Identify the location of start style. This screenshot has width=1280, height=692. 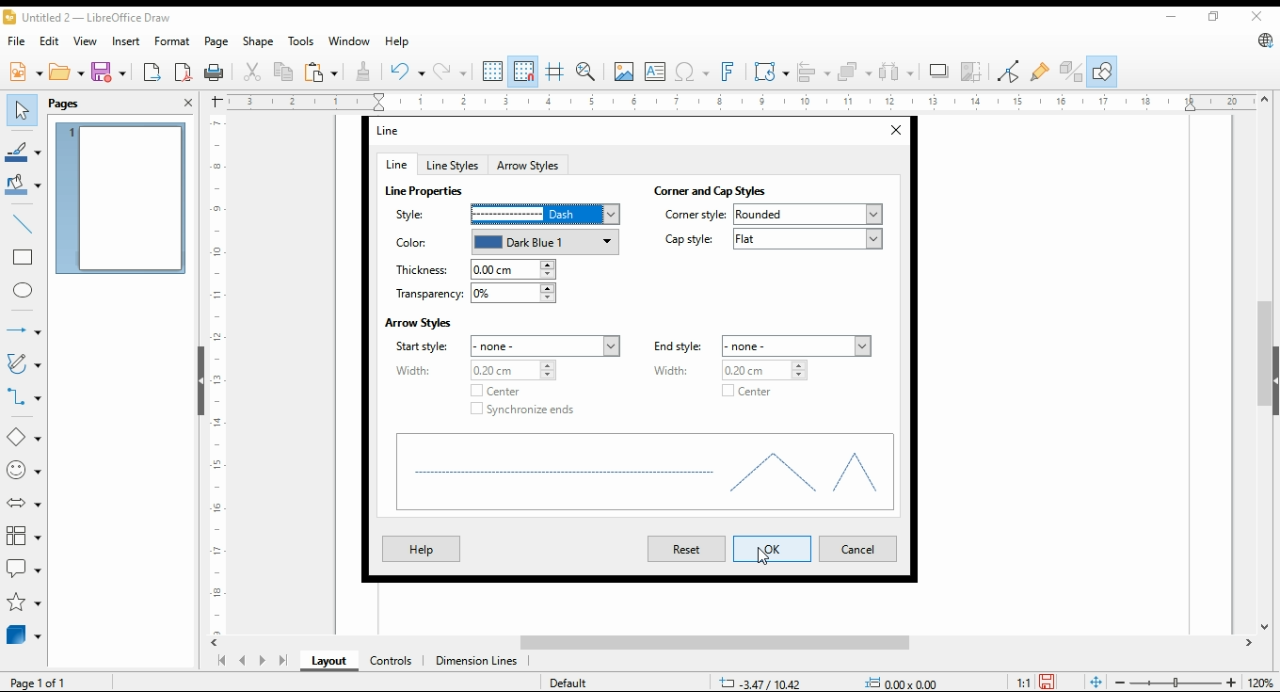
(510, 346).